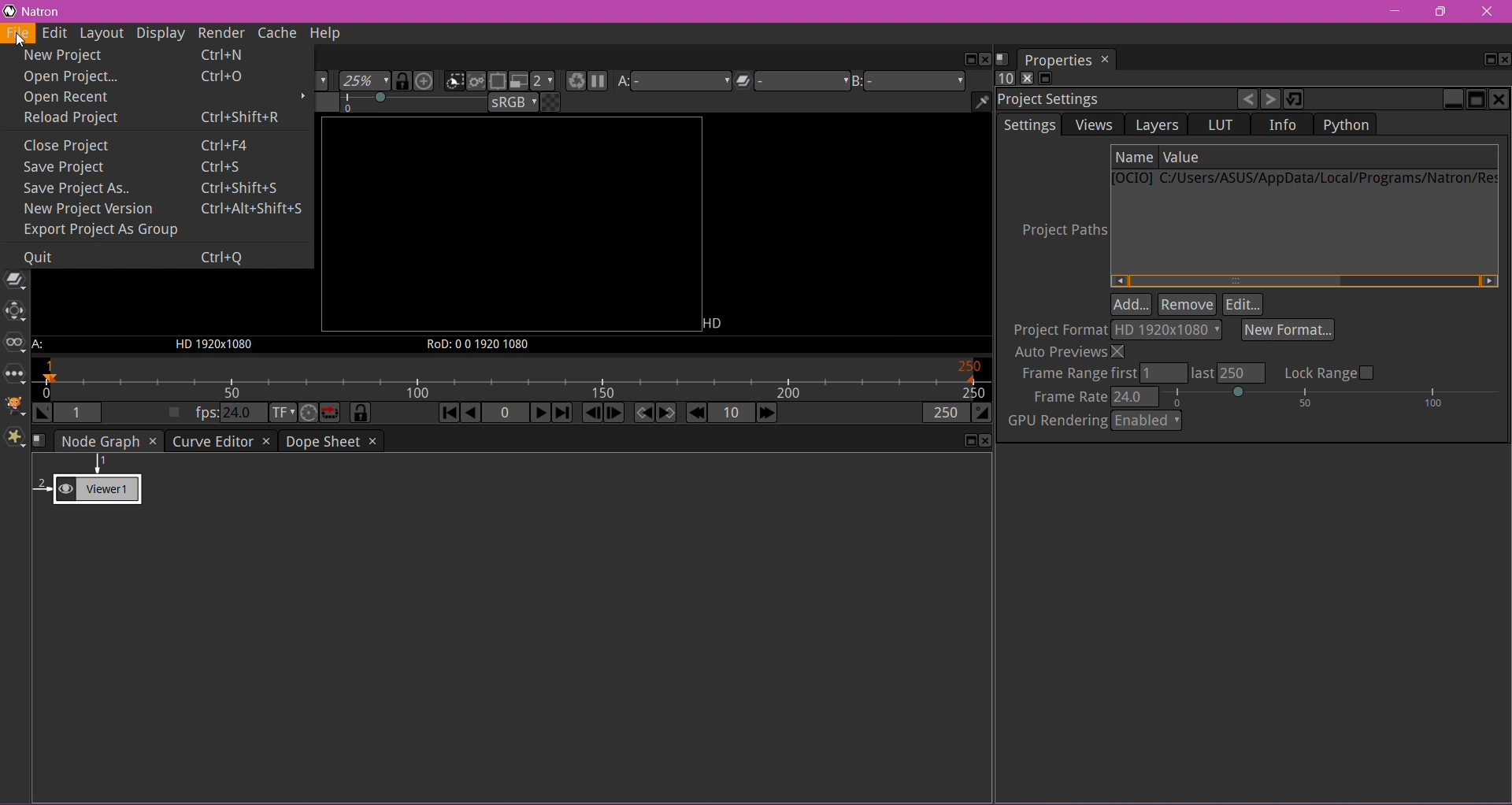 The width and height of the screenshot is (1512, 805). Describe the element at coordinates (449, 414) in the screenshot. I see `First frame` at that location.